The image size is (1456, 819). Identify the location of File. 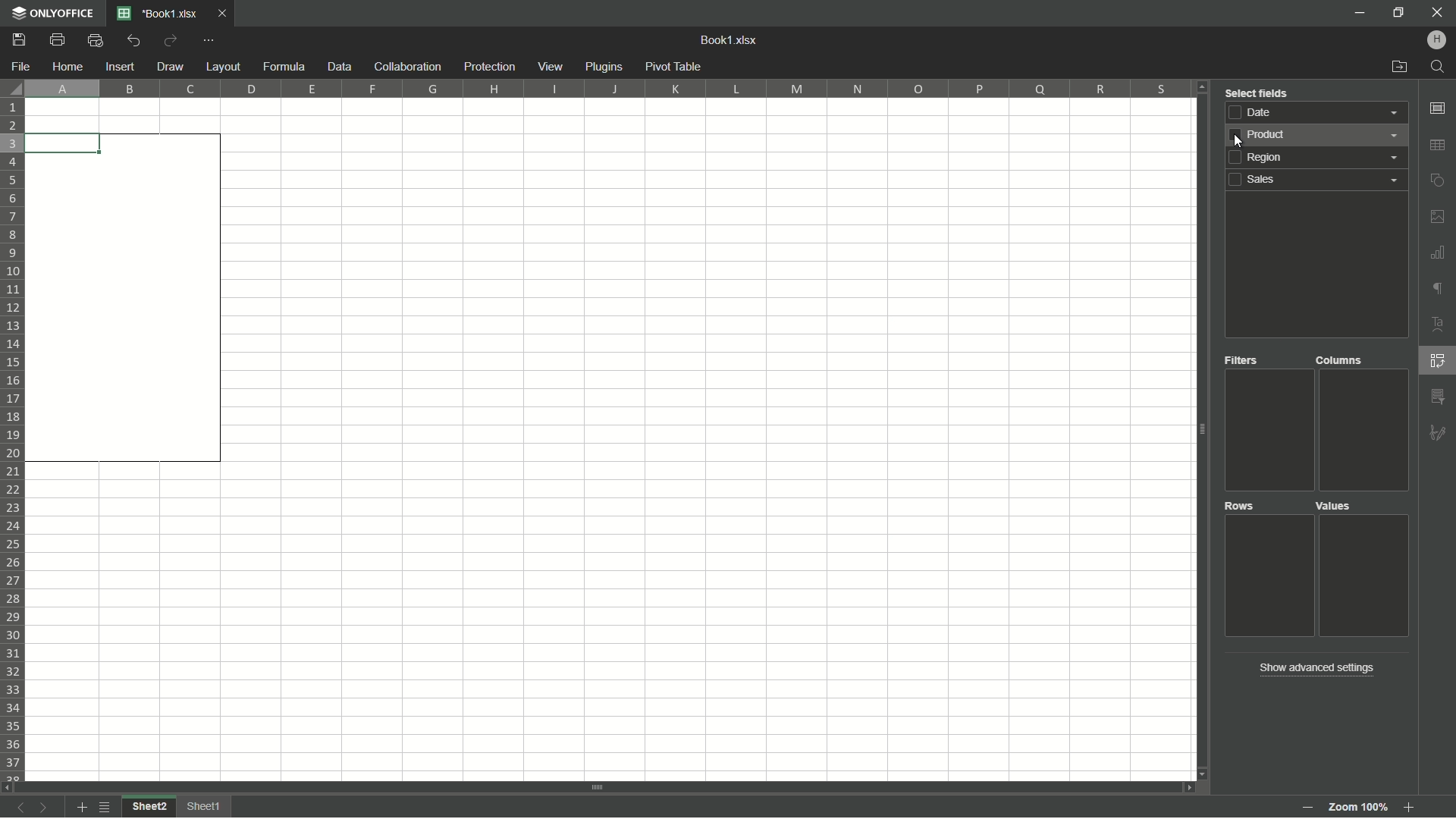
(21, 67).